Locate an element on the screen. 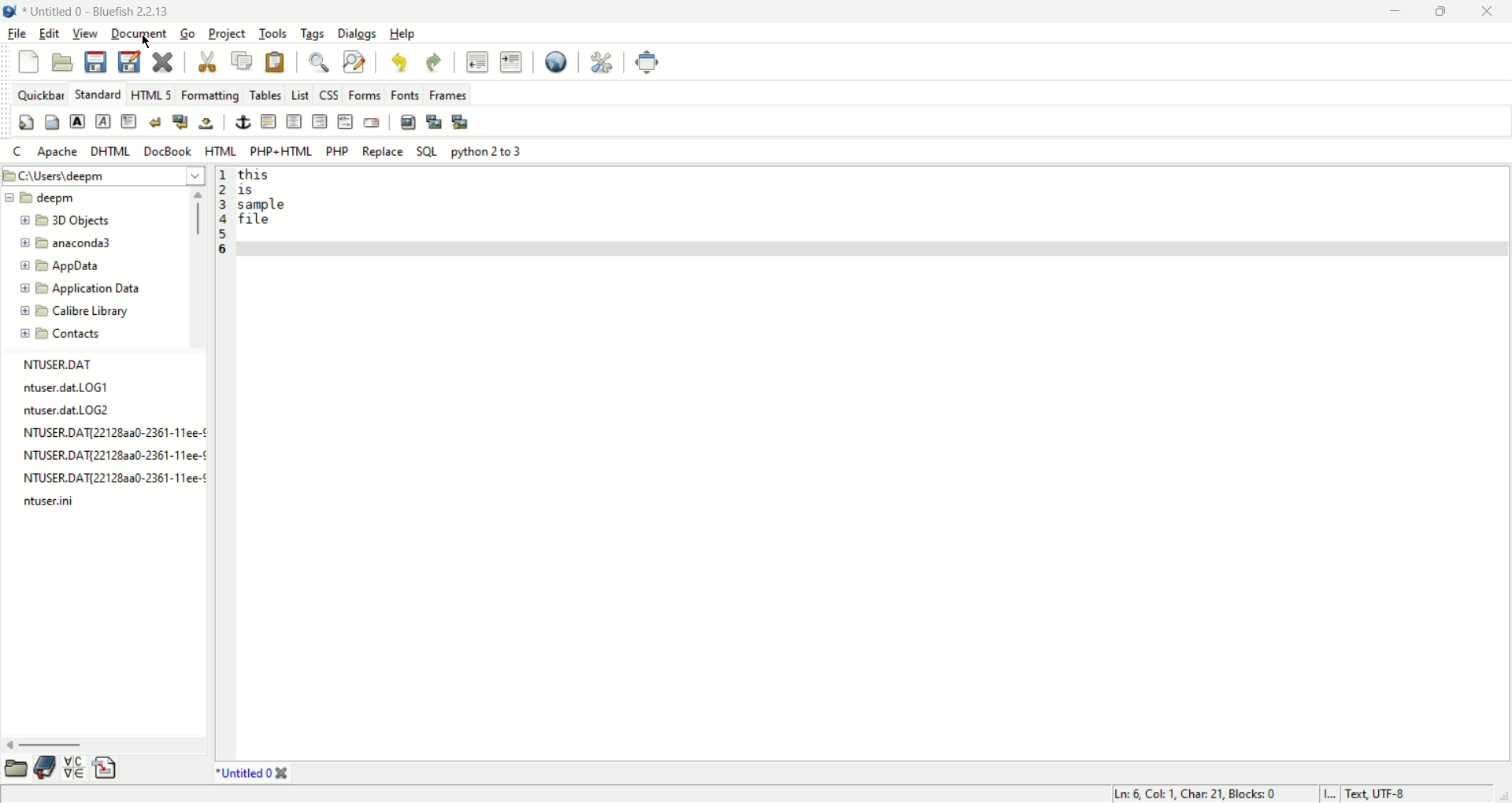  list is located at coordinates (298, 94).